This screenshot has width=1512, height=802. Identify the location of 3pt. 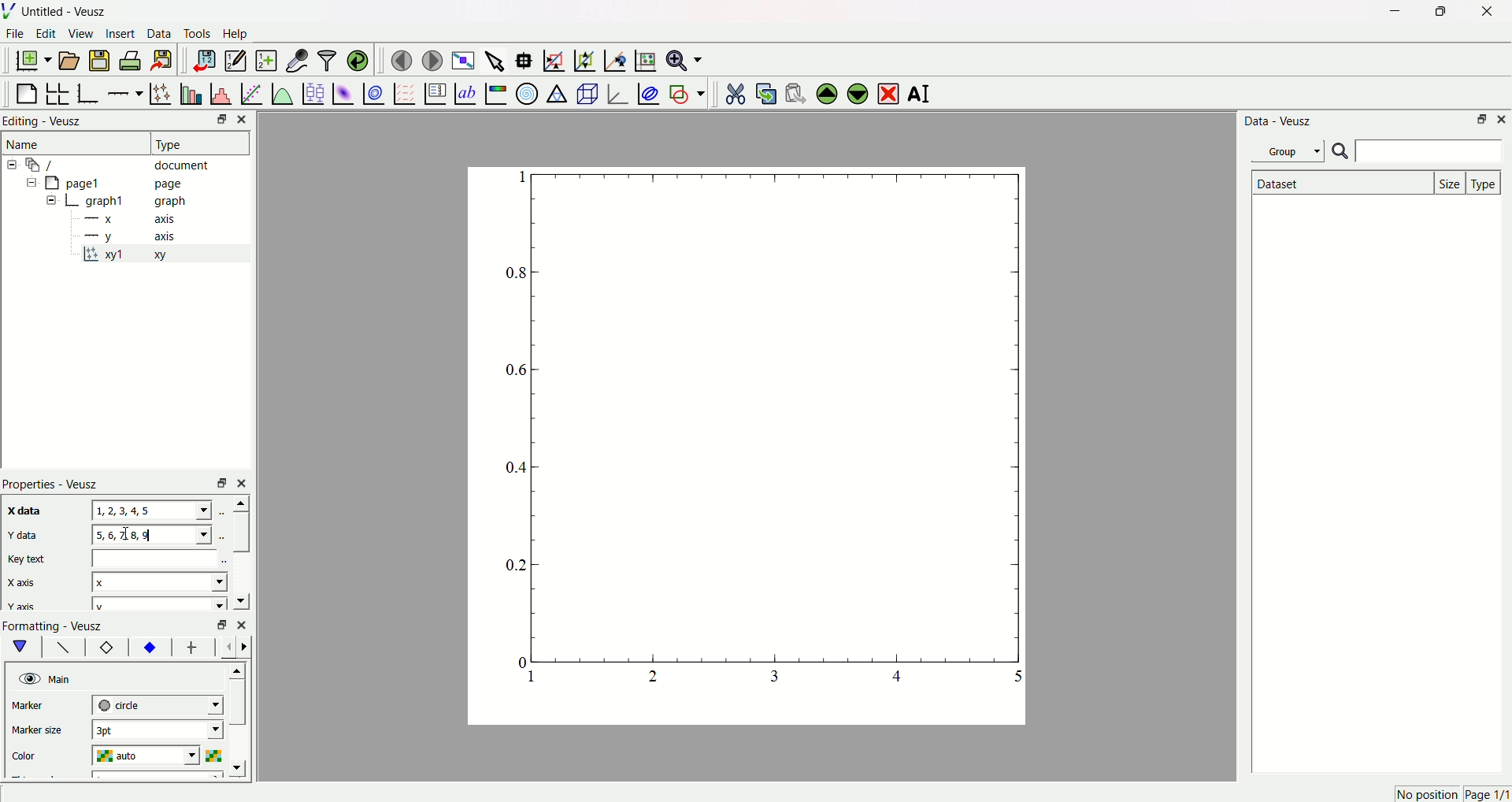
(157, 730).